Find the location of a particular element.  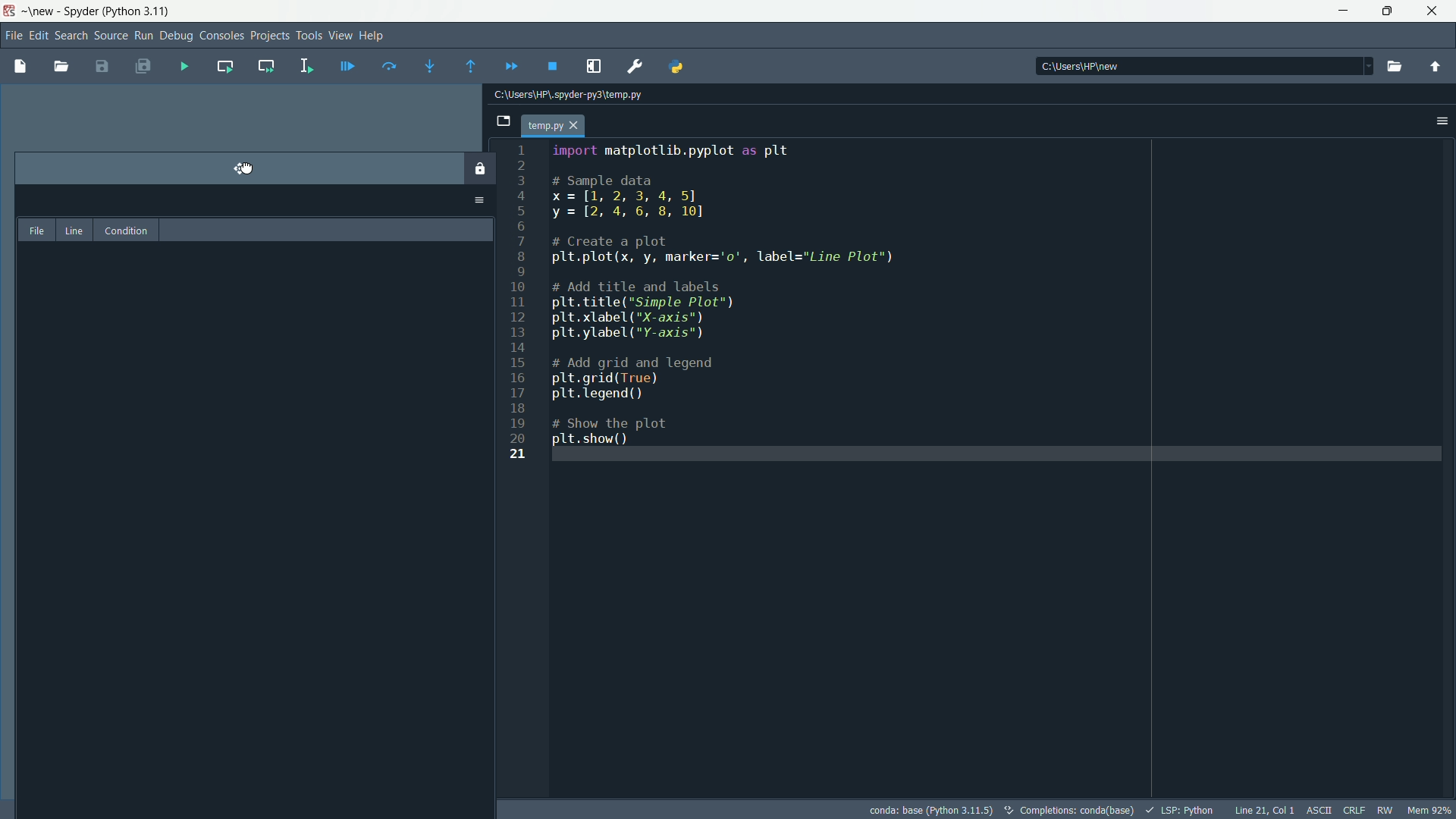

project menu is located at coordinates (268, 33).